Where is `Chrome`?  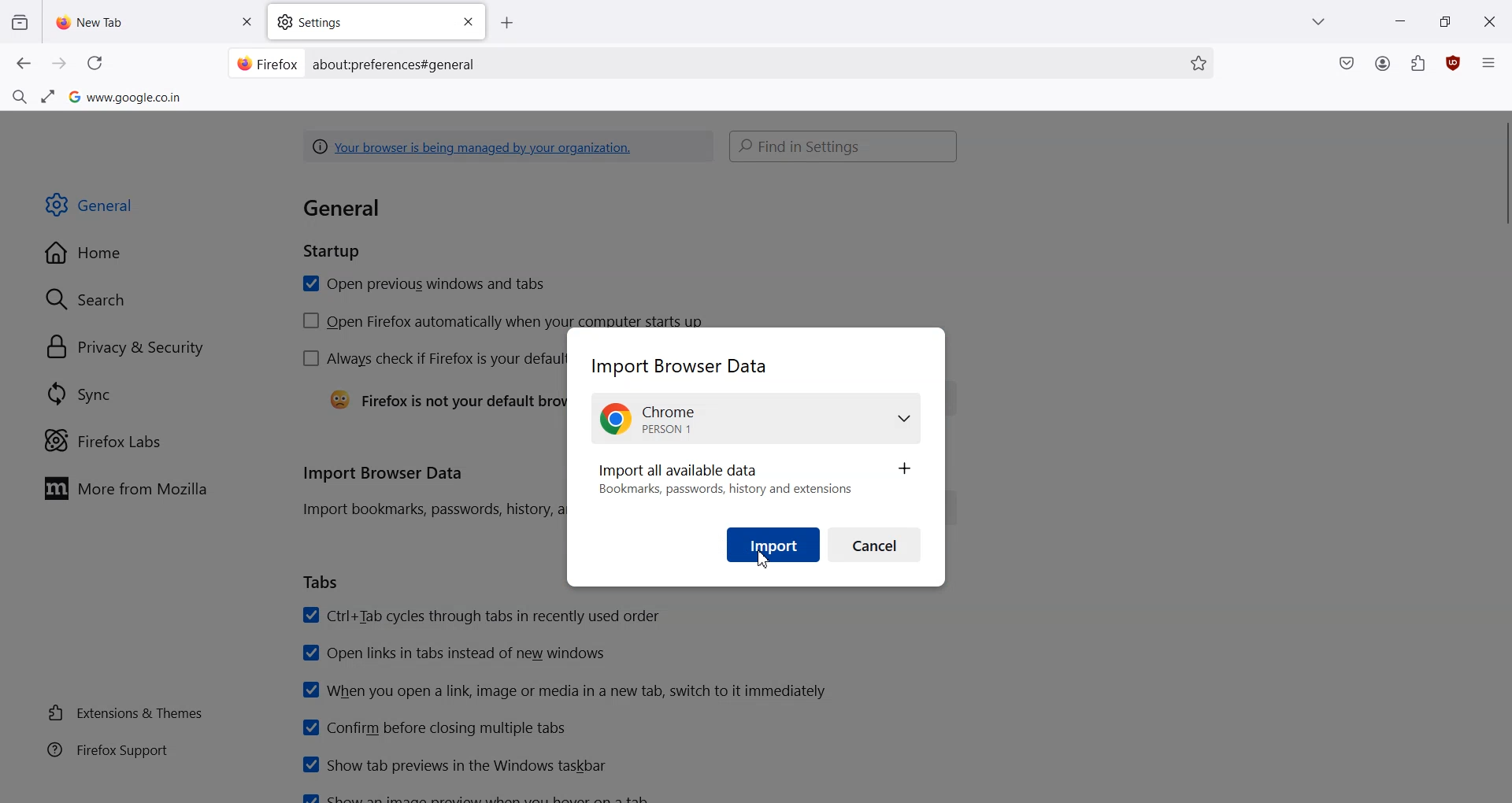 Chrome is located at coordinates (755, 419).